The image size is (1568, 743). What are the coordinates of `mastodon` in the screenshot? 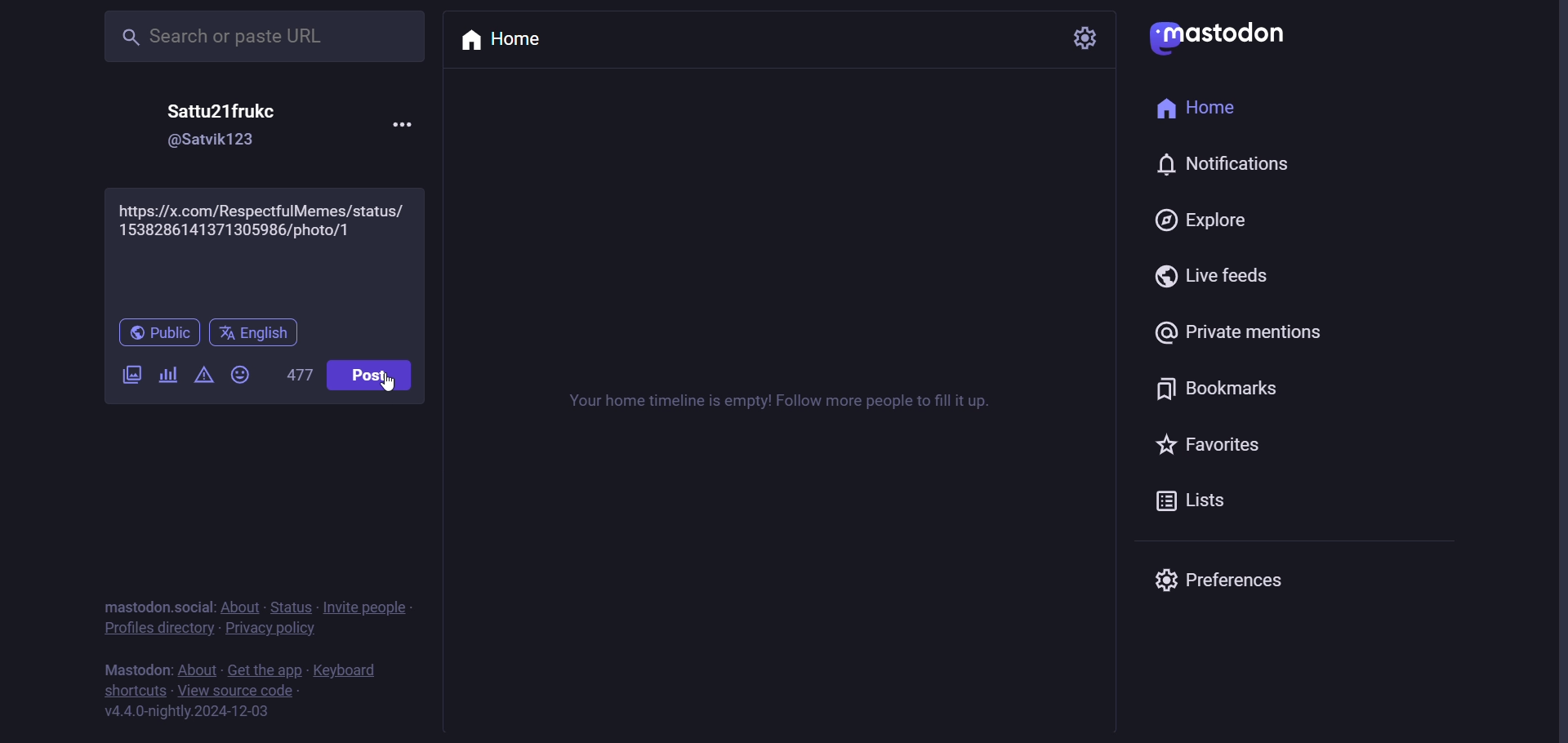 It's located at (134, 605).